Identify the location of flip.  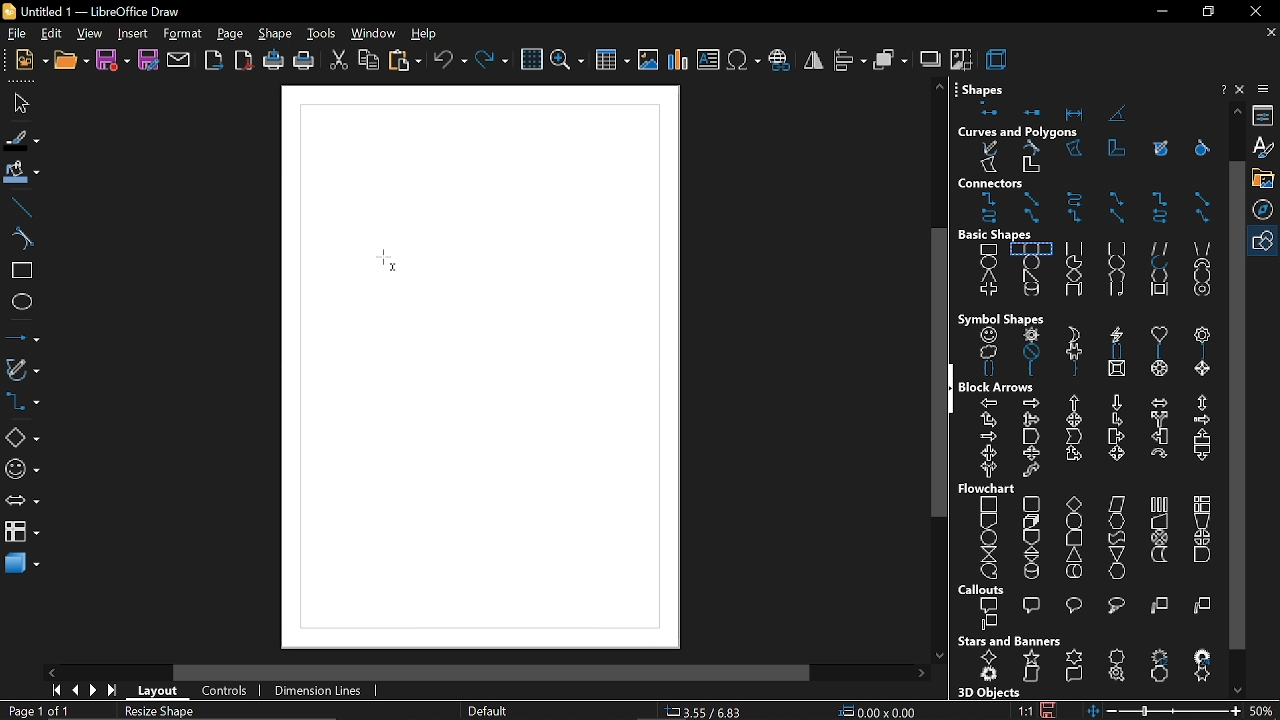
(814, 60).